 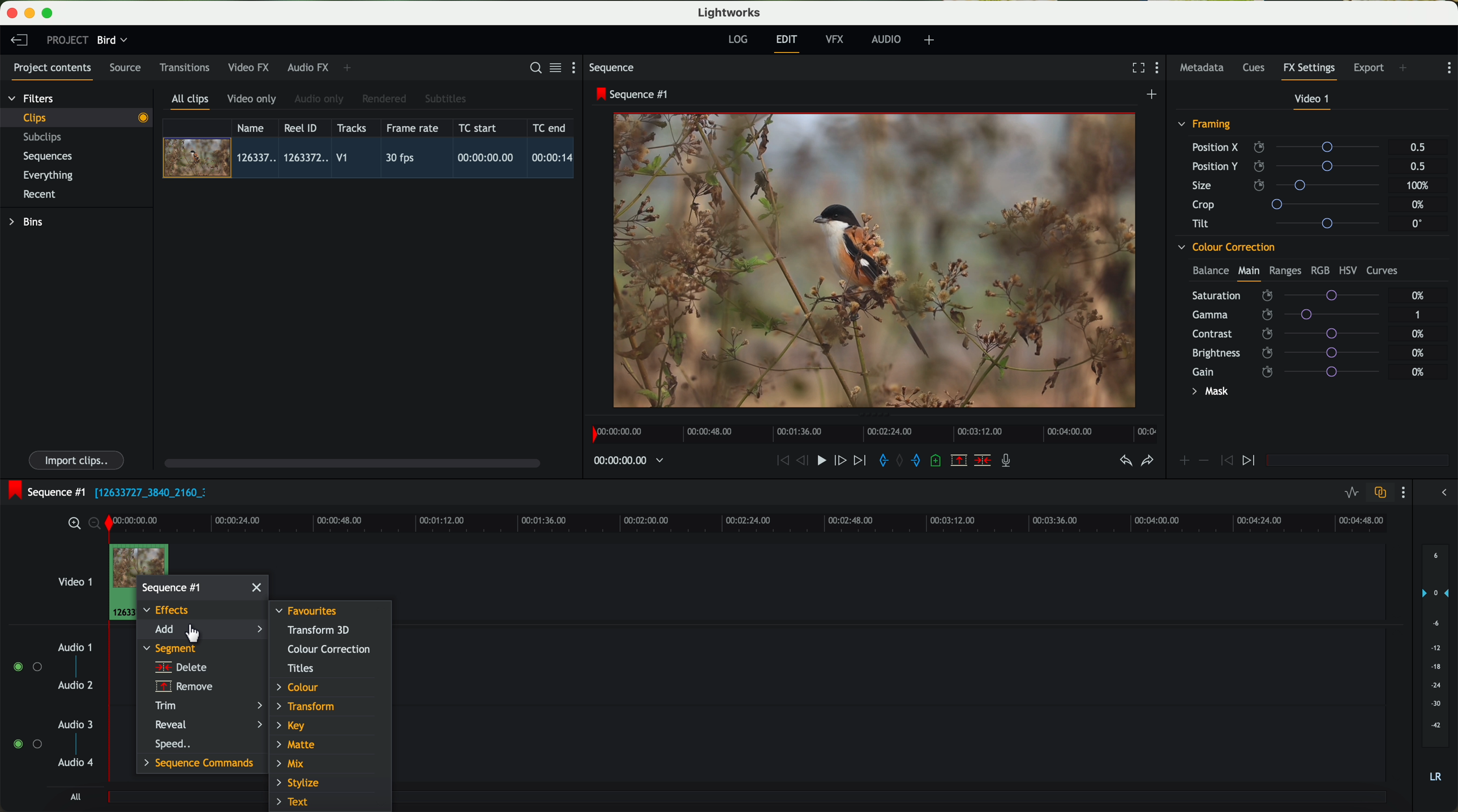 What do you see at coordinates (554, 67) in the screenshot?
I see `toggle between list and title view` at bounding box center [554, 67].